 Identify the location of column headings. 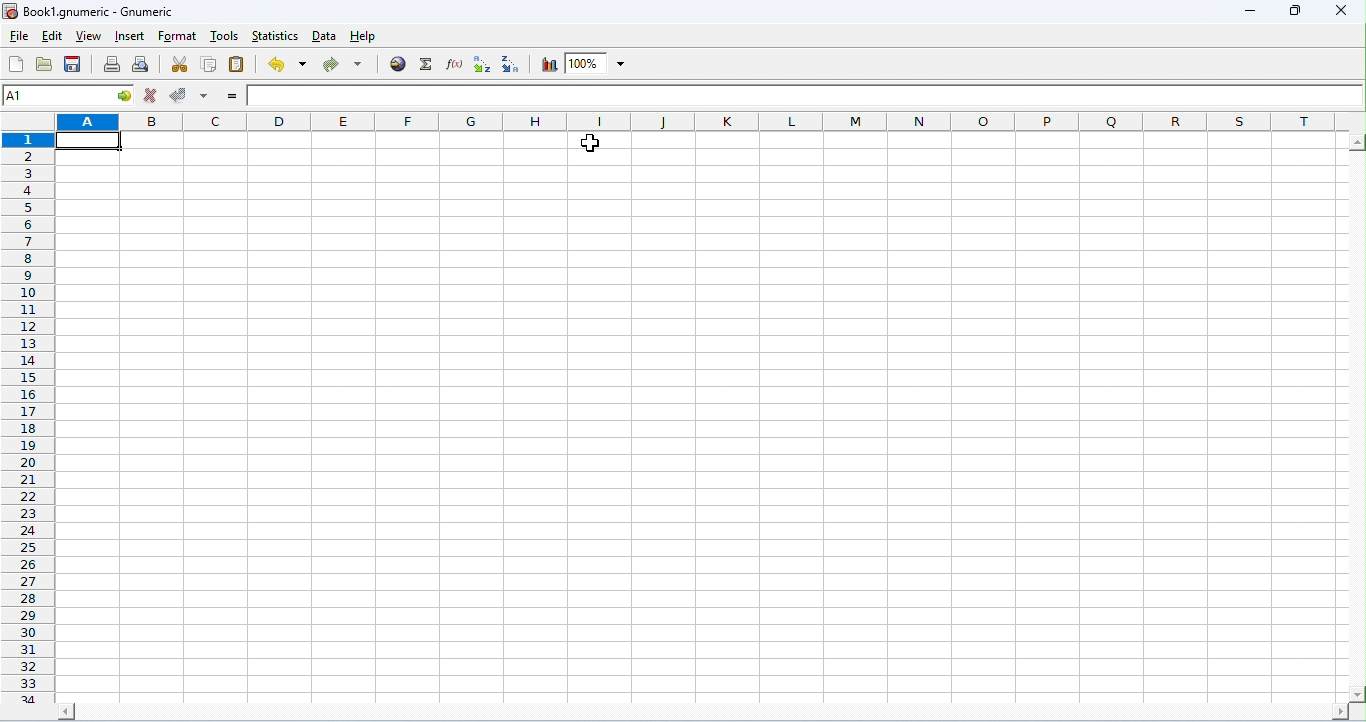
(694, 120).